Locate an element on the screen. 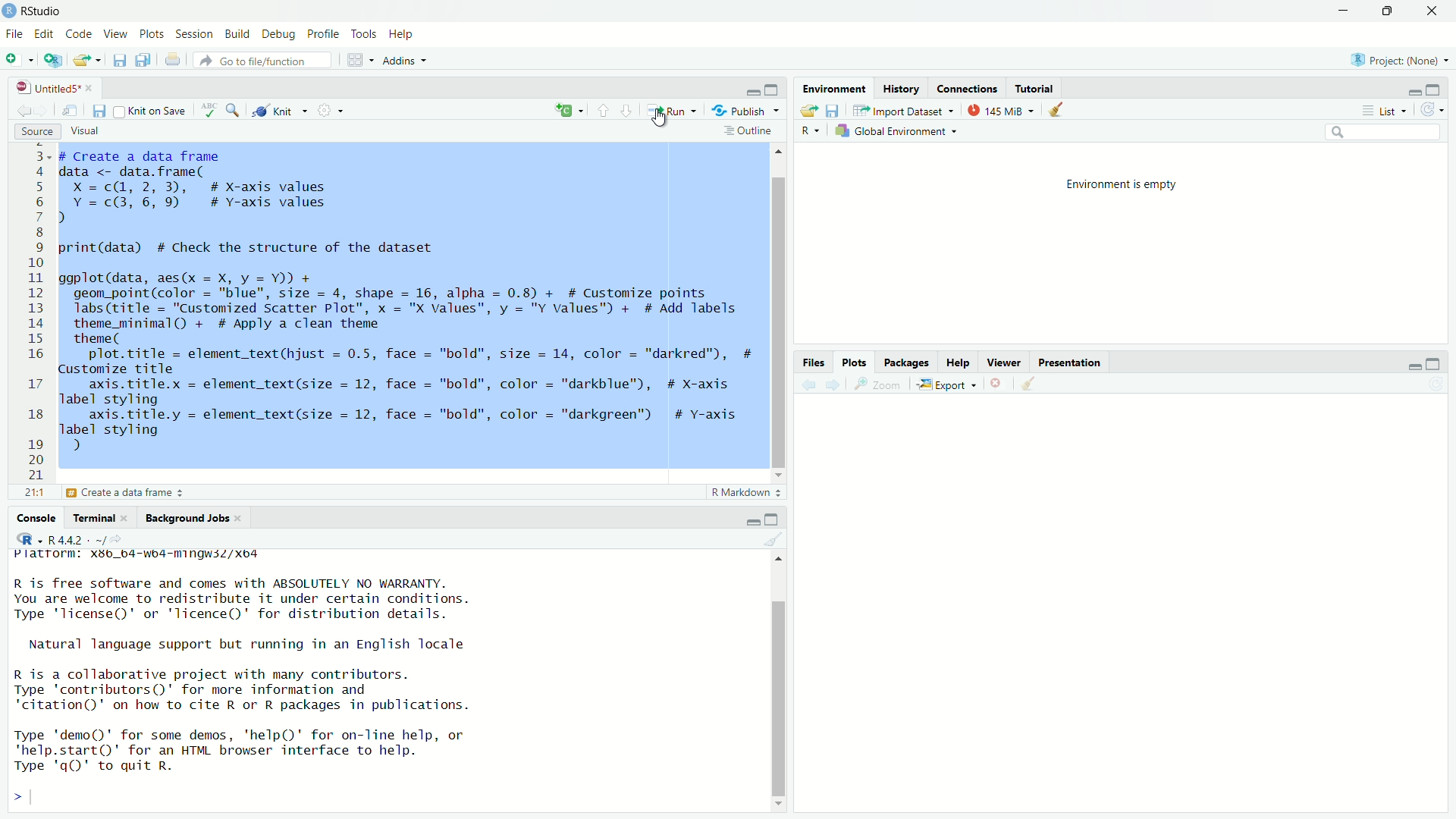  Addins is located at coordinates (406, 60).